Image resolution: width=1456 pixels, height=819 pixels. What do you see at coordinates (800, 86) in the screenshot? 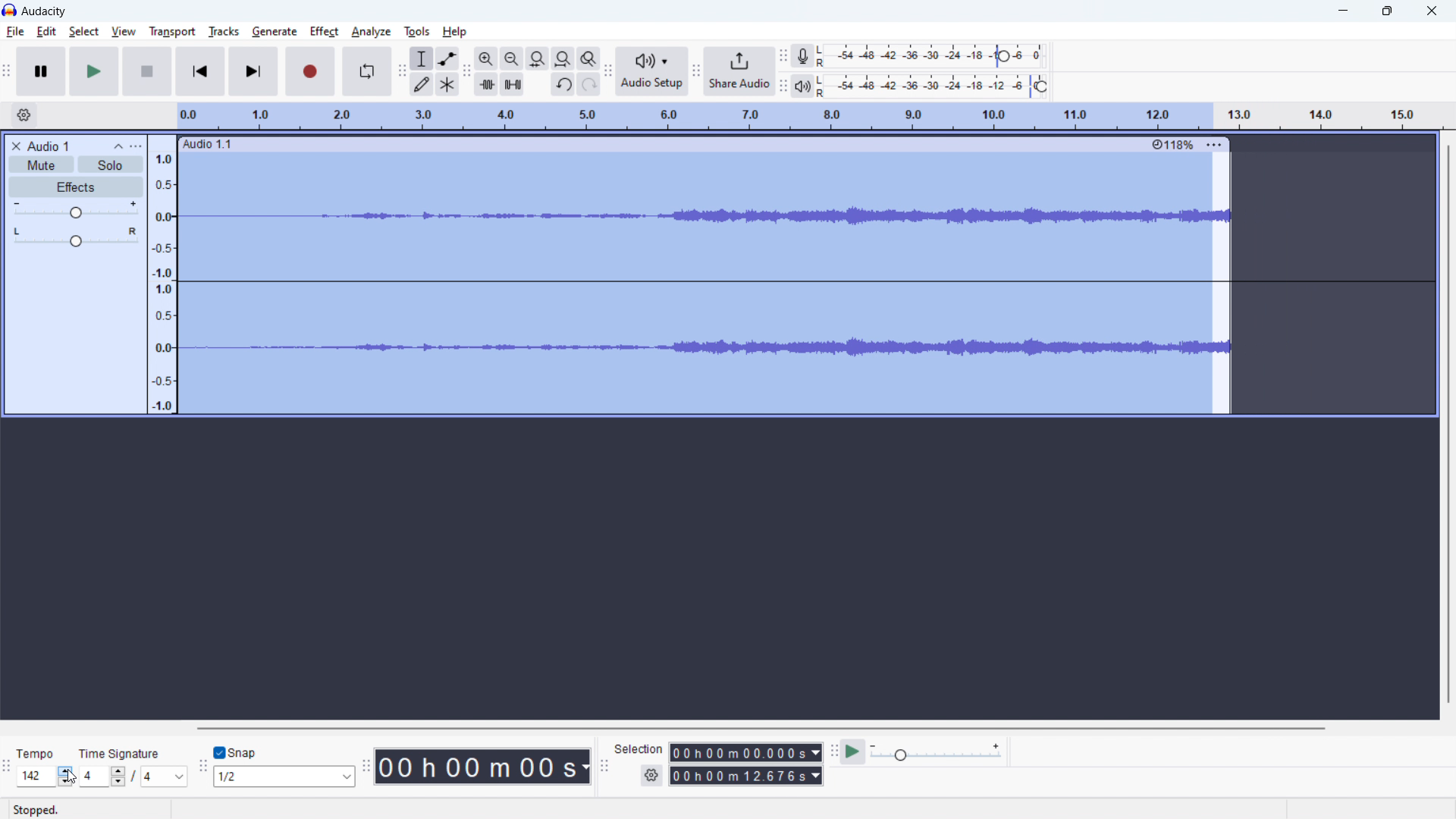
I see `playback meter` at bounding box center [800, 86].